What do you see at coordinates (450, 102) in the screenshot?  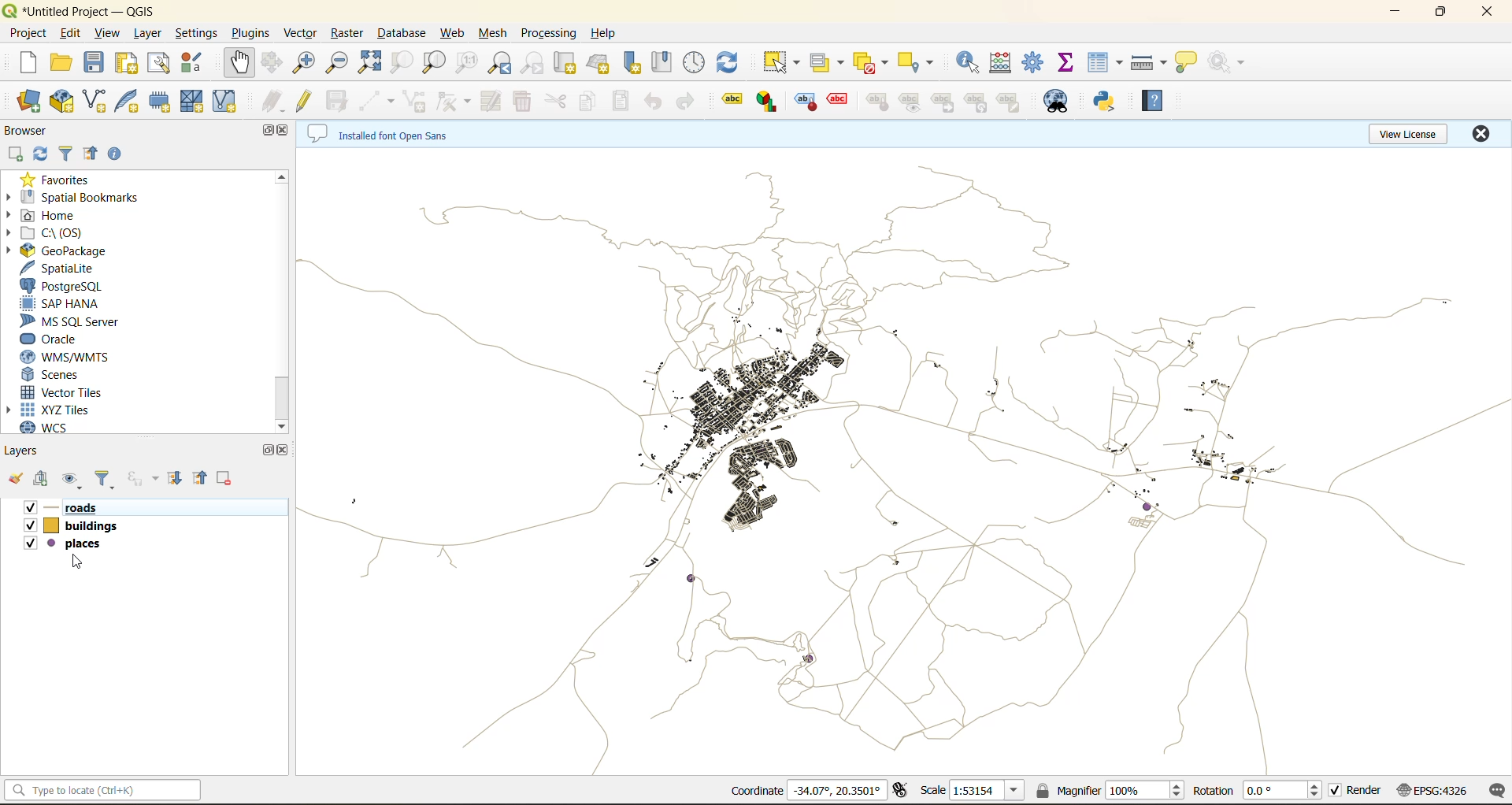 I see `draw` at bounding box center [450, 102].